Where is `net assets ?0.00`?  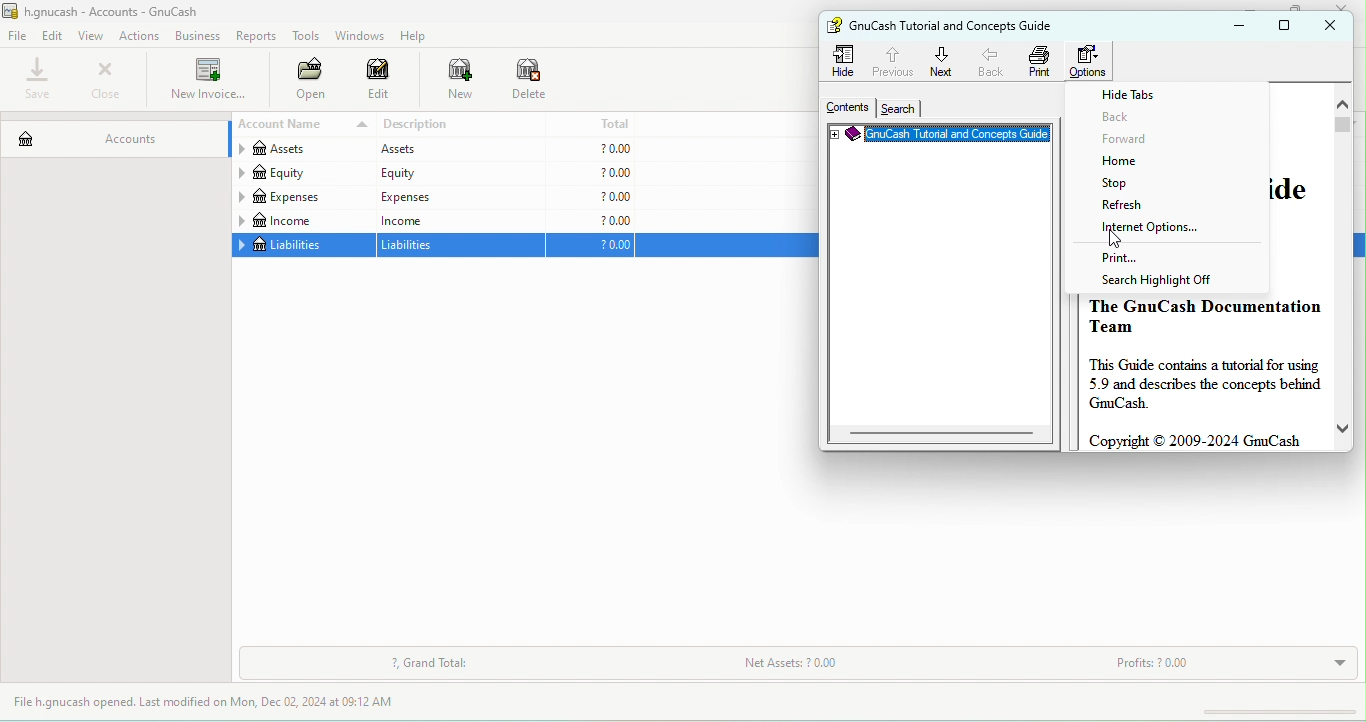
net assets ?0.00 is located at coordinates (853, 666).